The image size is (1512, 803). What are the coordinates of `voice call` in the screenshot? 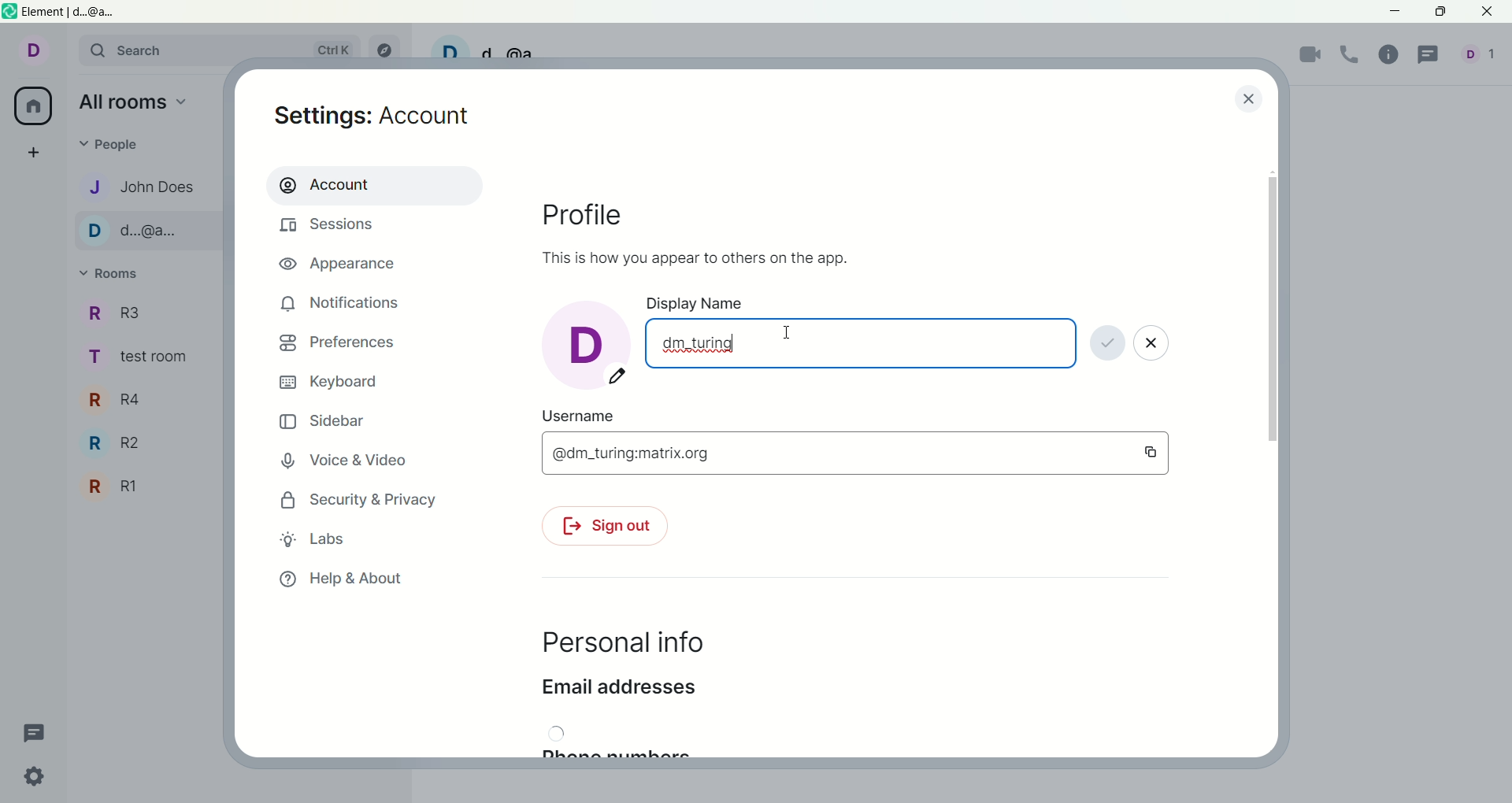 It's located at (1354, 55).